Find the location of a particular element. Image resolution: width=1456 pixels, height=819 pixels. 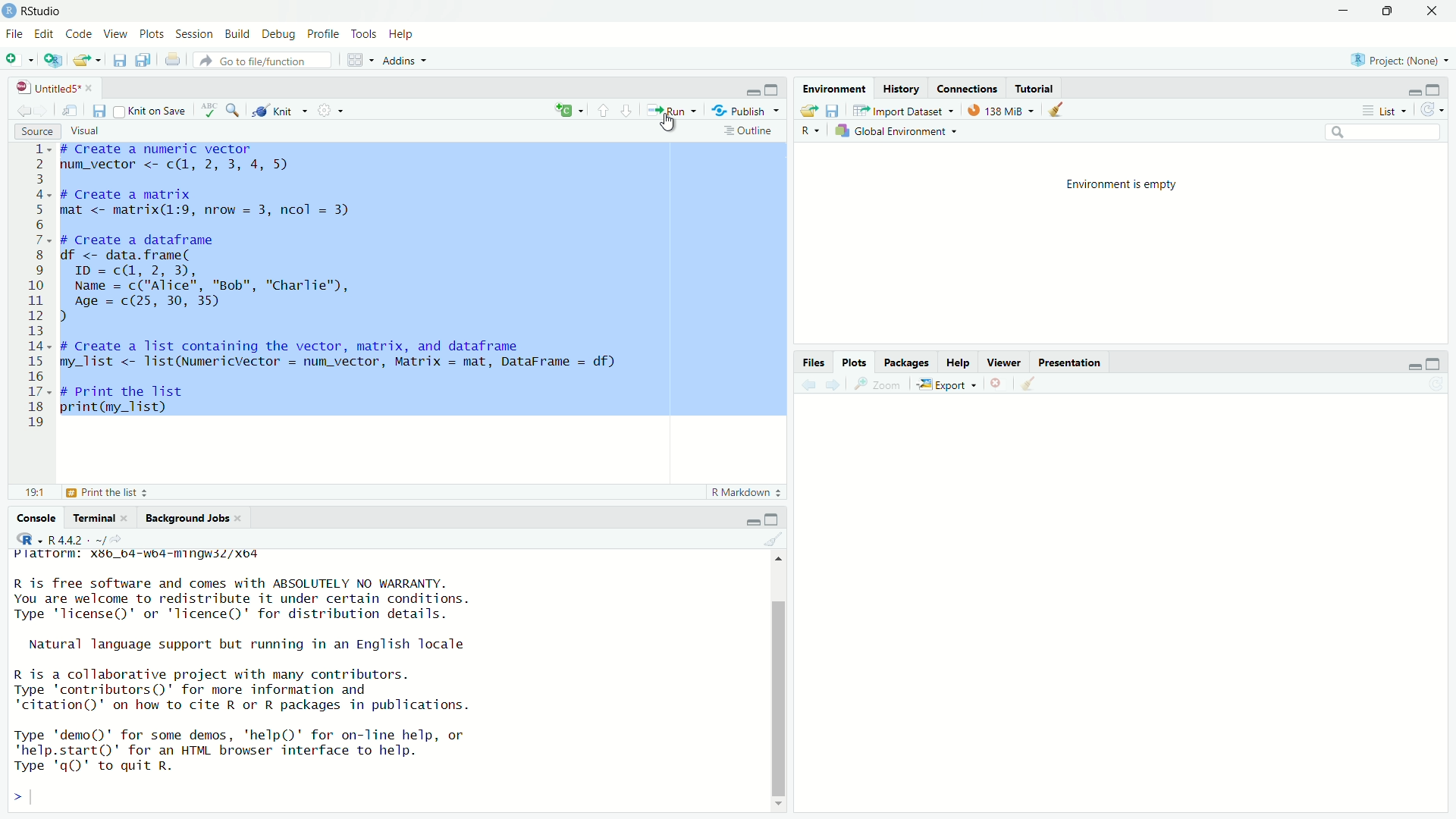

clear is located at coordinates (777, 540).